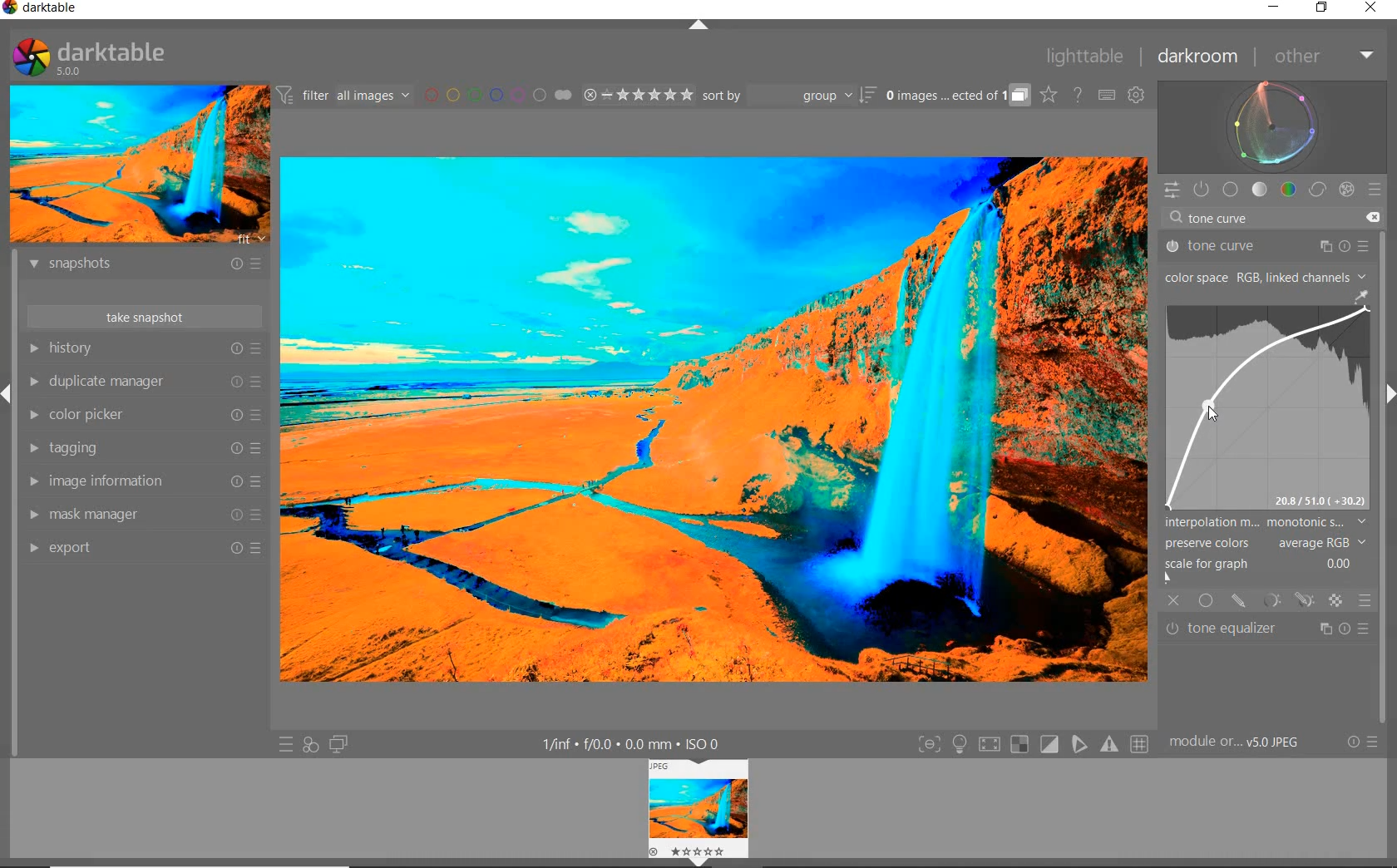 The height and width of the screenshot is (868, 1397). Describe the element at coordinates (1287, 601) in the screenshot. I see `MASK OPTIONS` at that location.